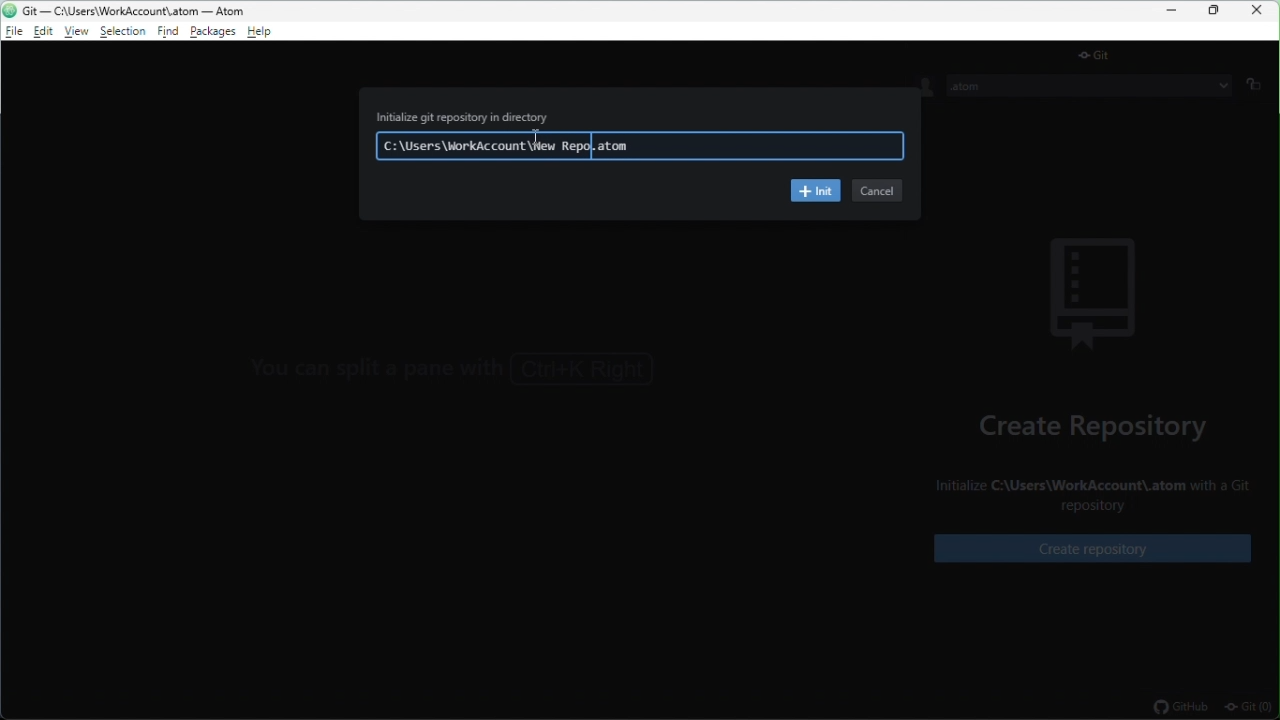 The height and width of the screenshot is (720, 1280). What do you see at coordinates (1216, 10) in the screenshot?
I see `restore` at bounding box center [1216, 10].